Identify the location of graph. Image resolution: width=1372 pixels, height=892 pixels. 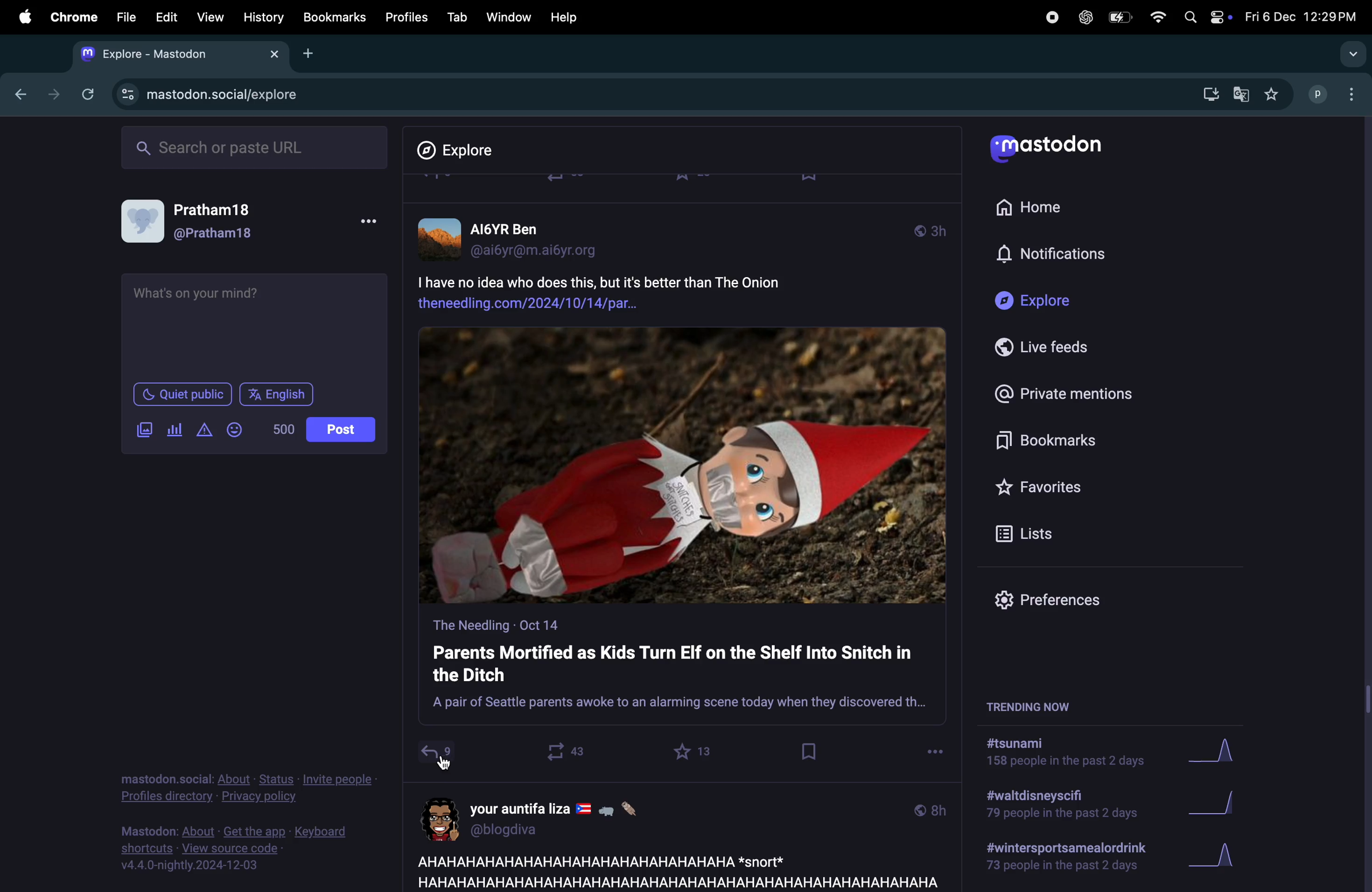
(1218, 806).